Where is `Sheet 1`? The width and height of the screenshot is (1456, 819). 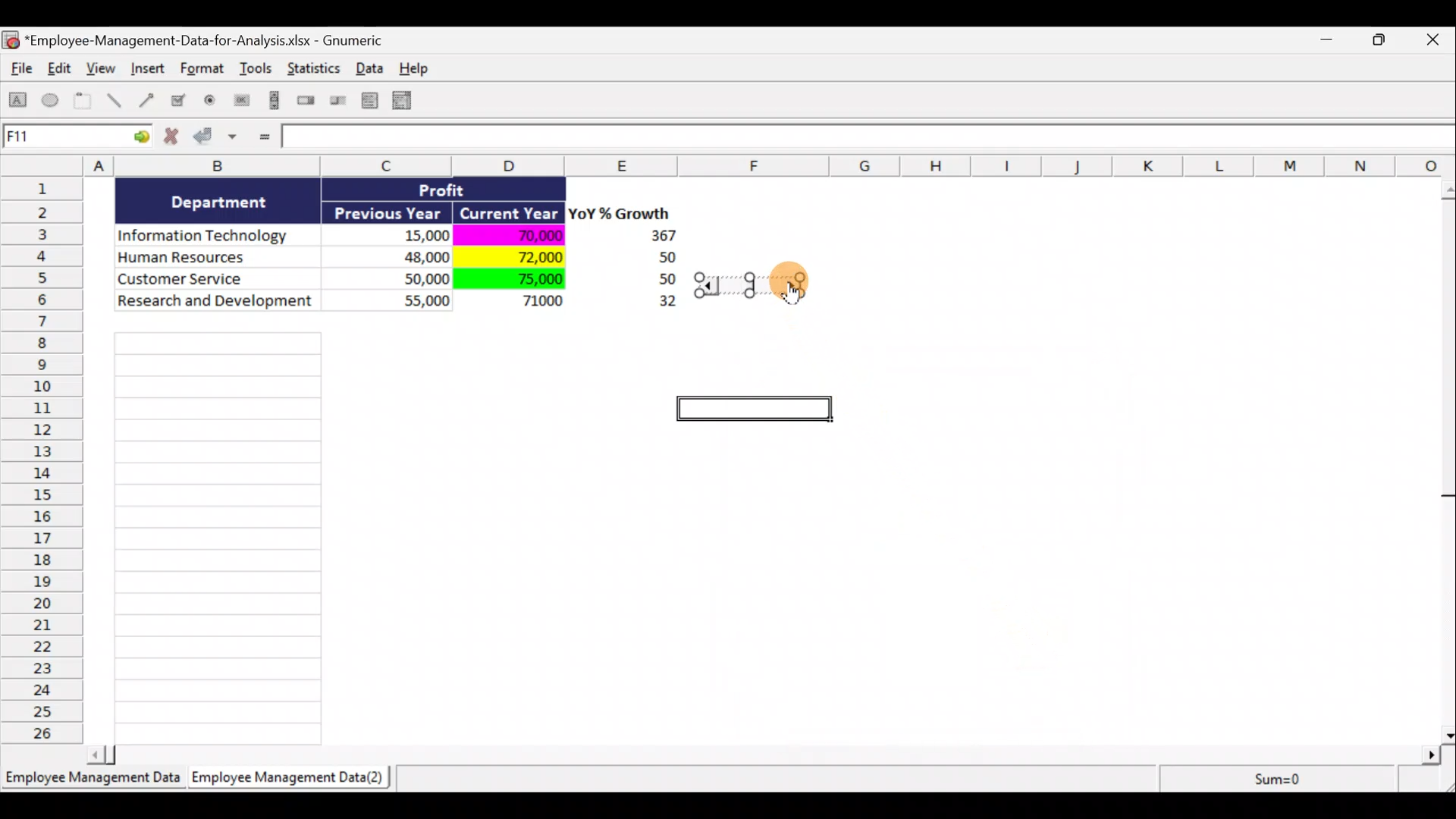
Sheet 1 is located at coordinates (95, 783).